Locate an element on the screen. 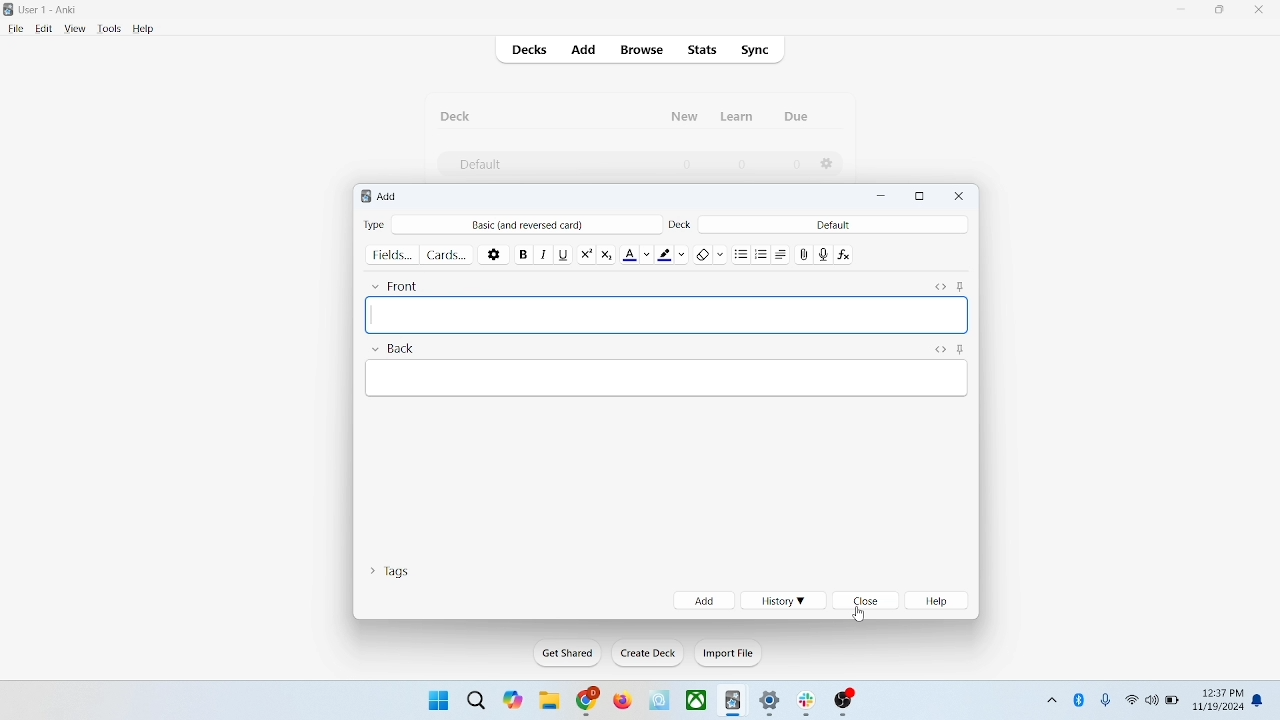  0 is located at coordinates (740, 164).